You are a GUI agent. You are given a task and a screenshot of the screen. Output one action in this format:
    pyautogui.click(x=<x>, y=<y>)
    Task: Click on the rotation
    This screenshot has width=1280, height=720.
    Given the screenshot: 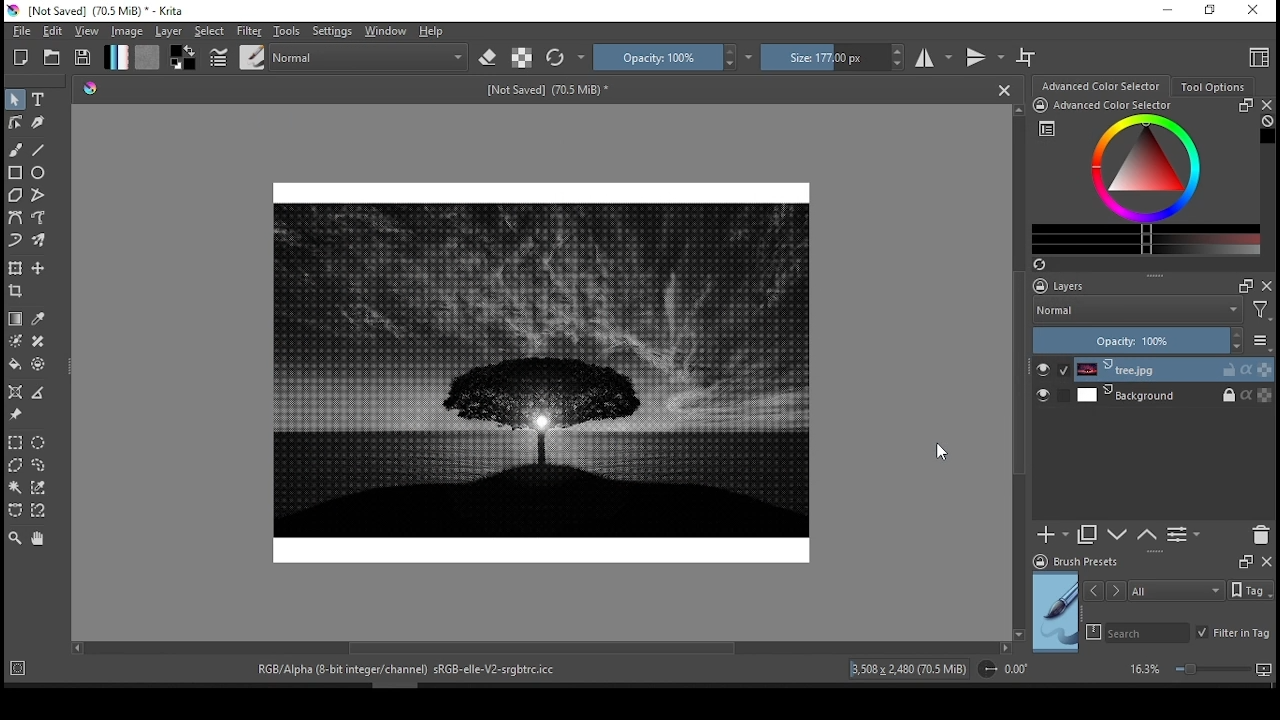 What is the action you would take?
    pyautogui.click(x=1004, y=670)
    